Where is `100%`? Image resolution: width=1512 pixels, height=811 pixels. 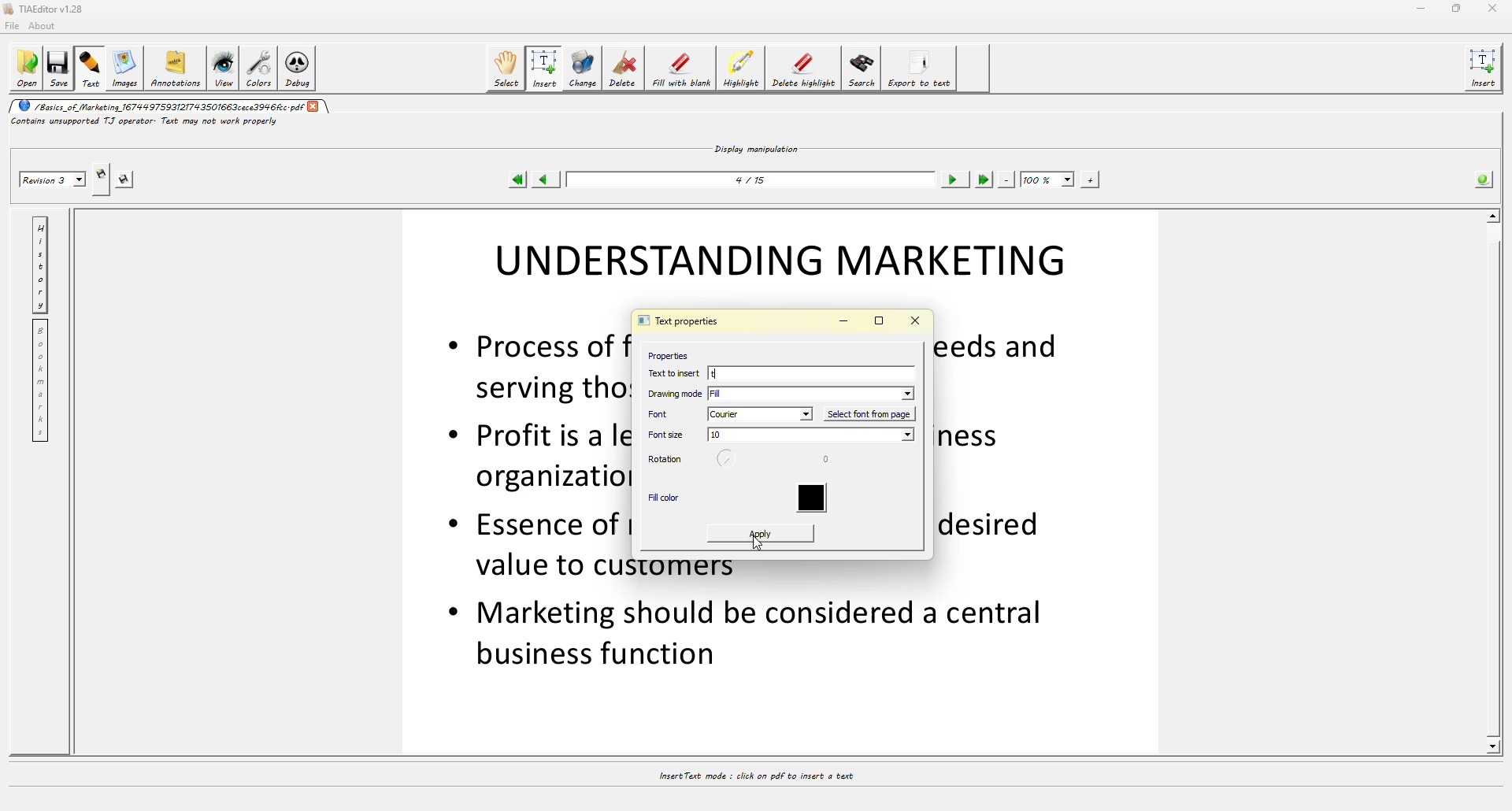
100% is located at coordinates (1047, 179).